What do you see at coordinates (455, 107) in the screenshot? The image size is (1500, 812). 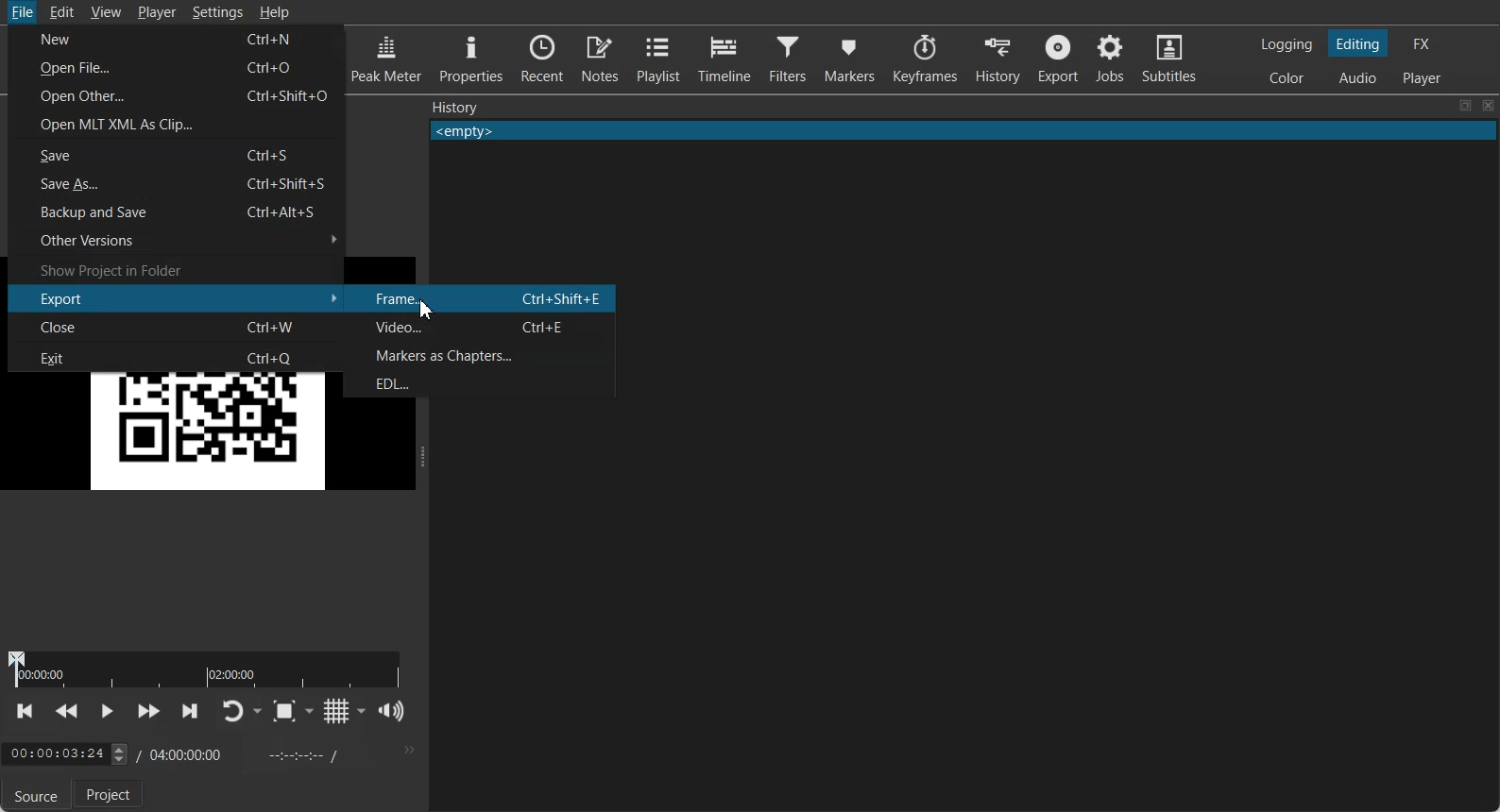 I see `Text` at bounding box center [455, 107].